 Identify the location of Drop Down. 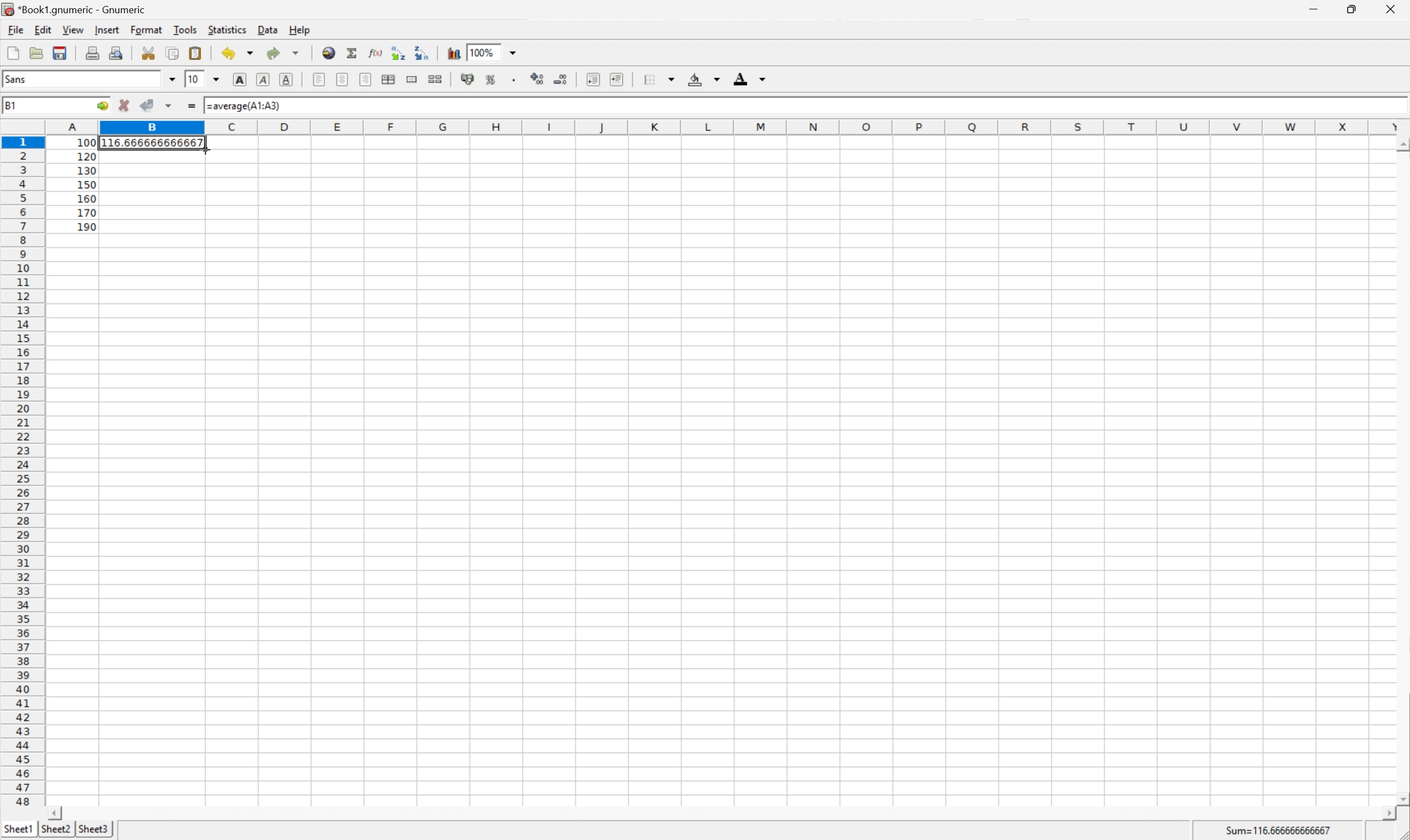
(511, 51).